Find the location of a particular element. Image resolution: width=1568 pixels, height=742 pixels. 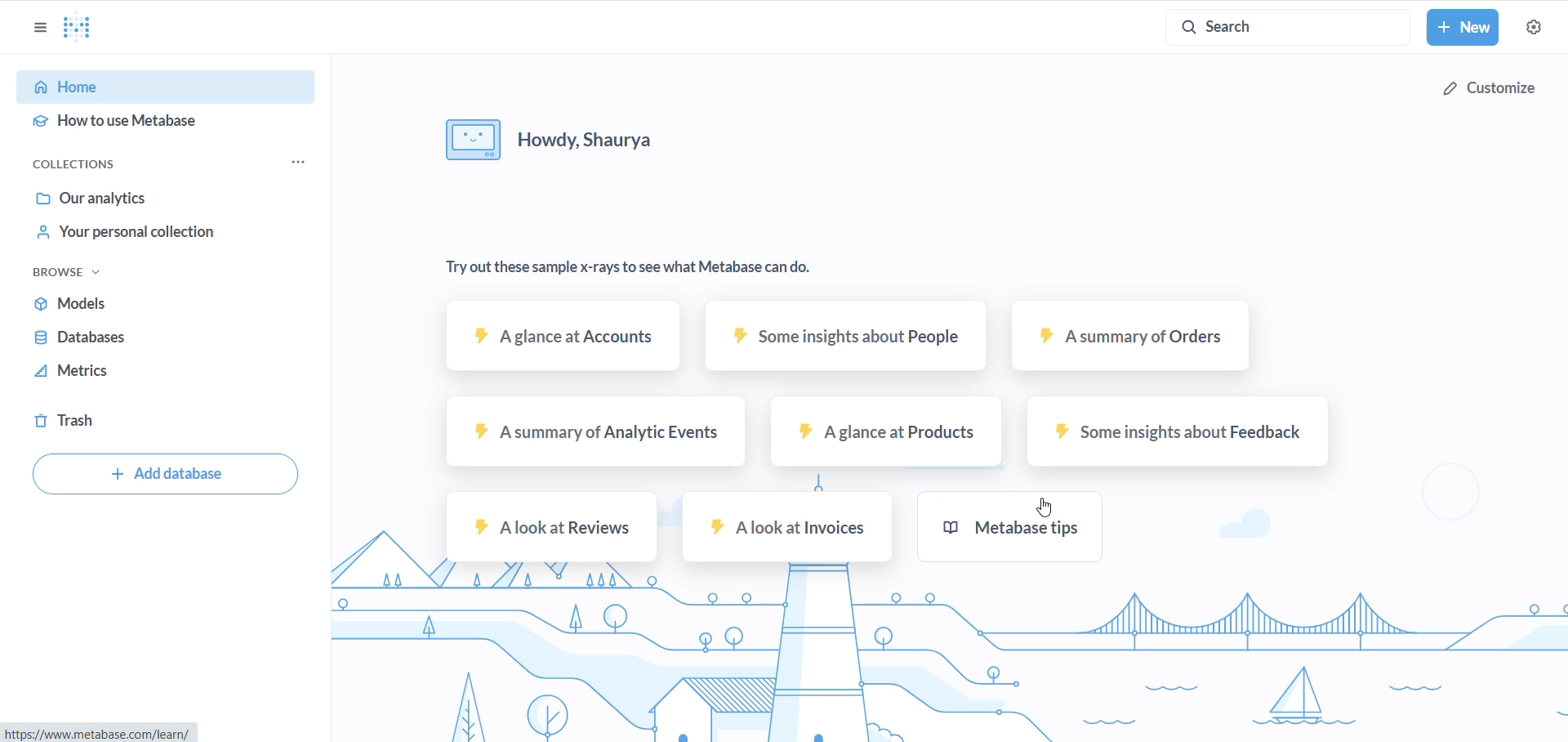

A summary of Orders sample is located at coordinates (1134, 344).